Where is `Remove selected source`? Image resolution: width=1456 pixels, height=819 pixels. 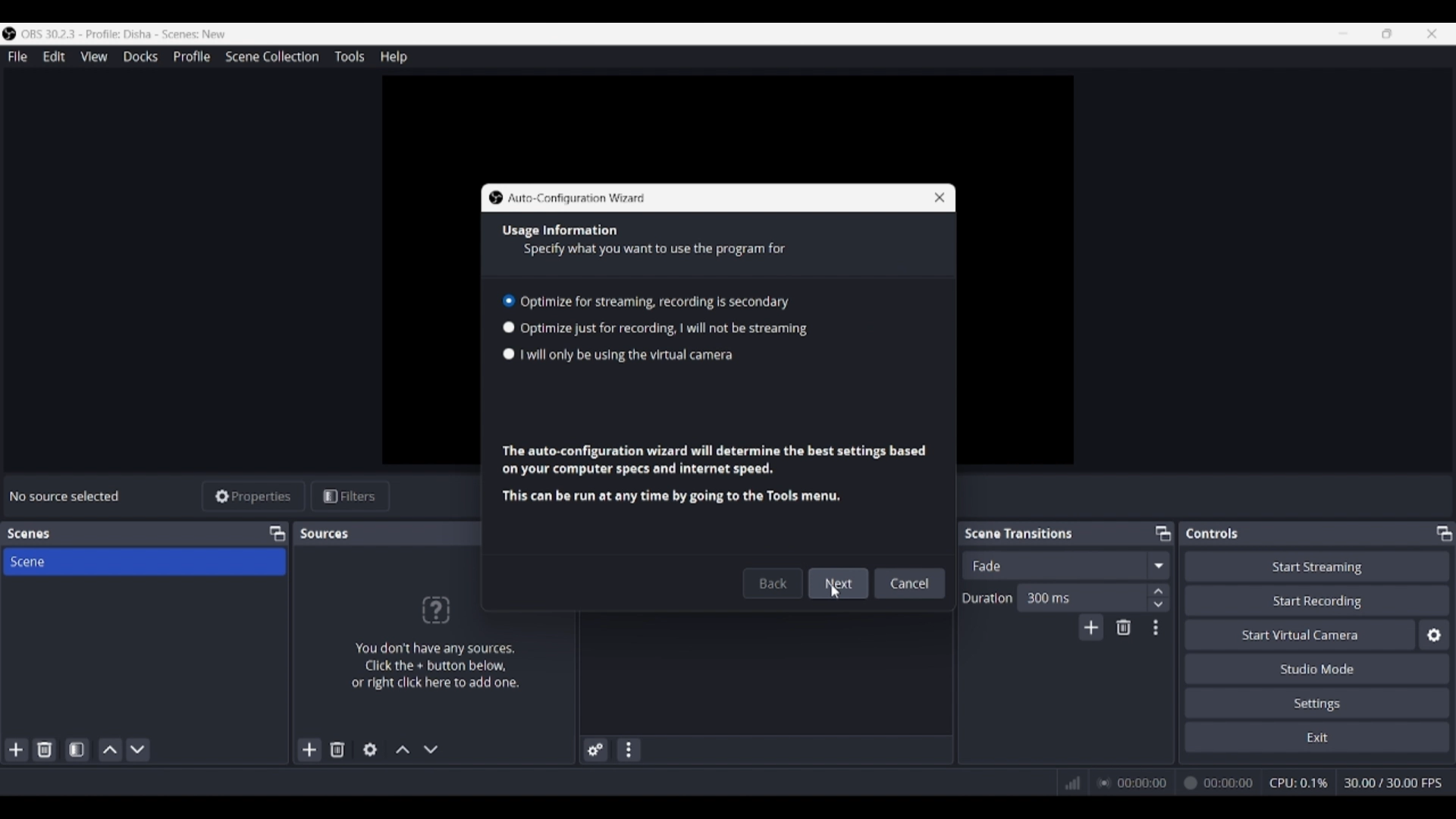
Remove selected source is located at coordinates (337, 749).